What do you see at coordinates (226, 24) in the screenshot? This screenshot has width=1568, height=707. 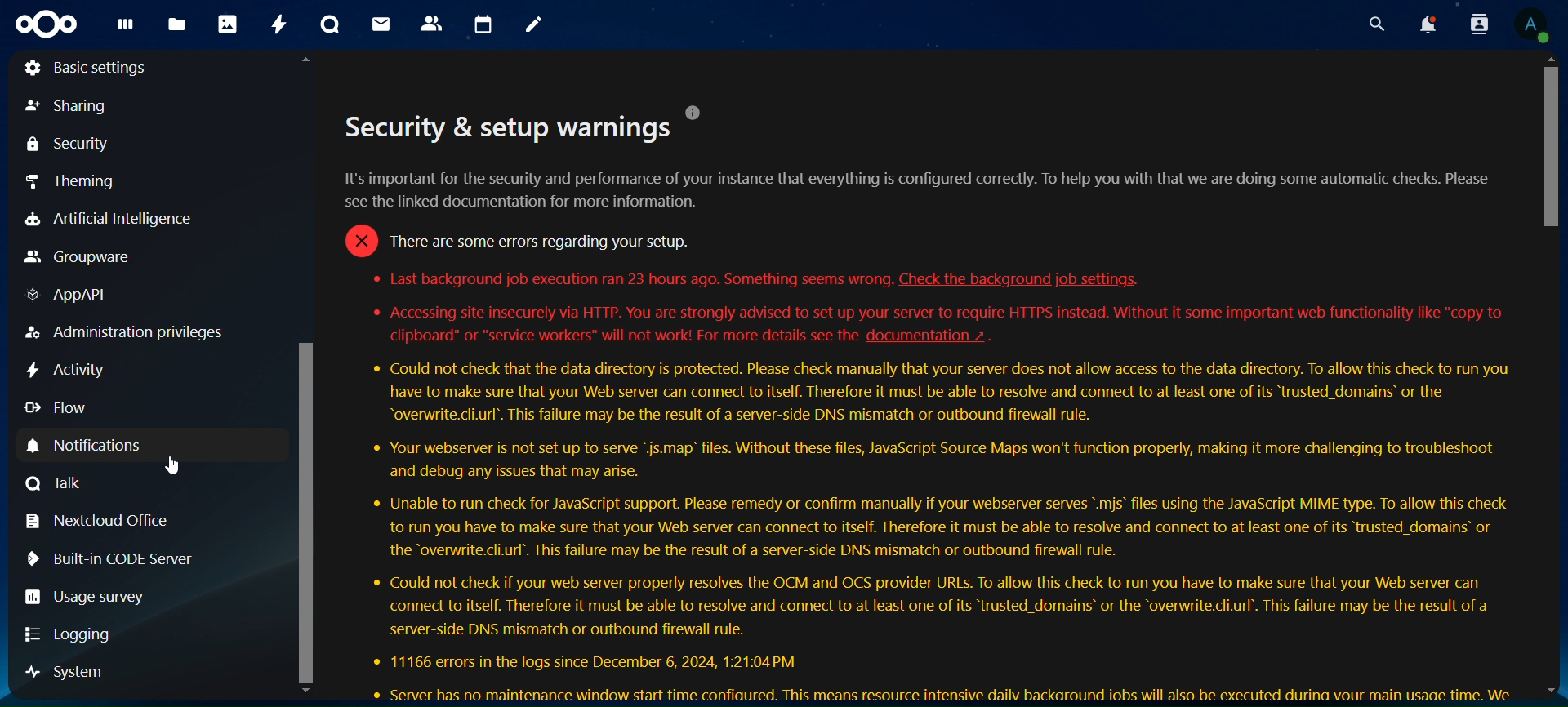 I see `photos` at bounding box center [226, 24].